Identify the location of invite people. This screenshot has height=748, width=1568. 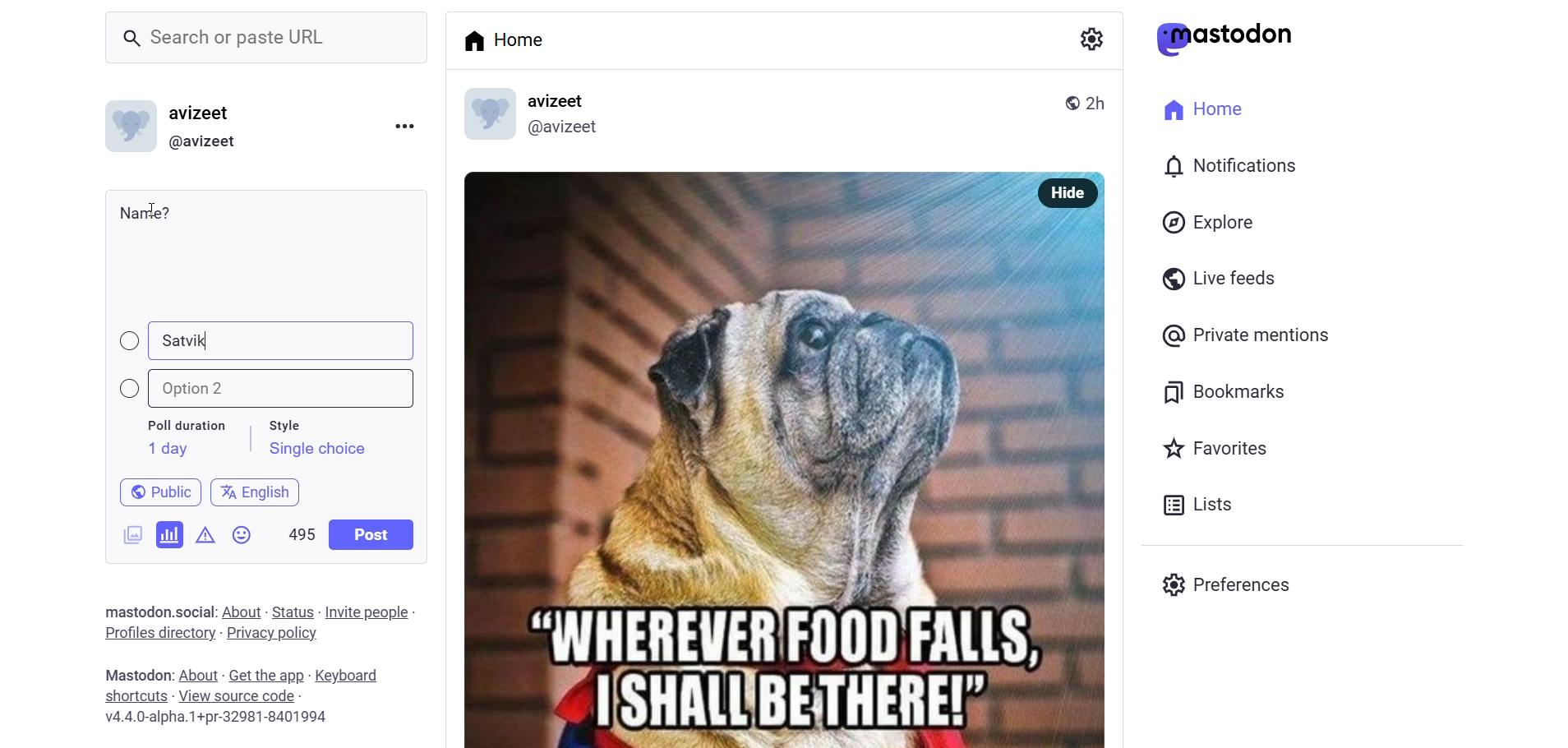
(371, 612).